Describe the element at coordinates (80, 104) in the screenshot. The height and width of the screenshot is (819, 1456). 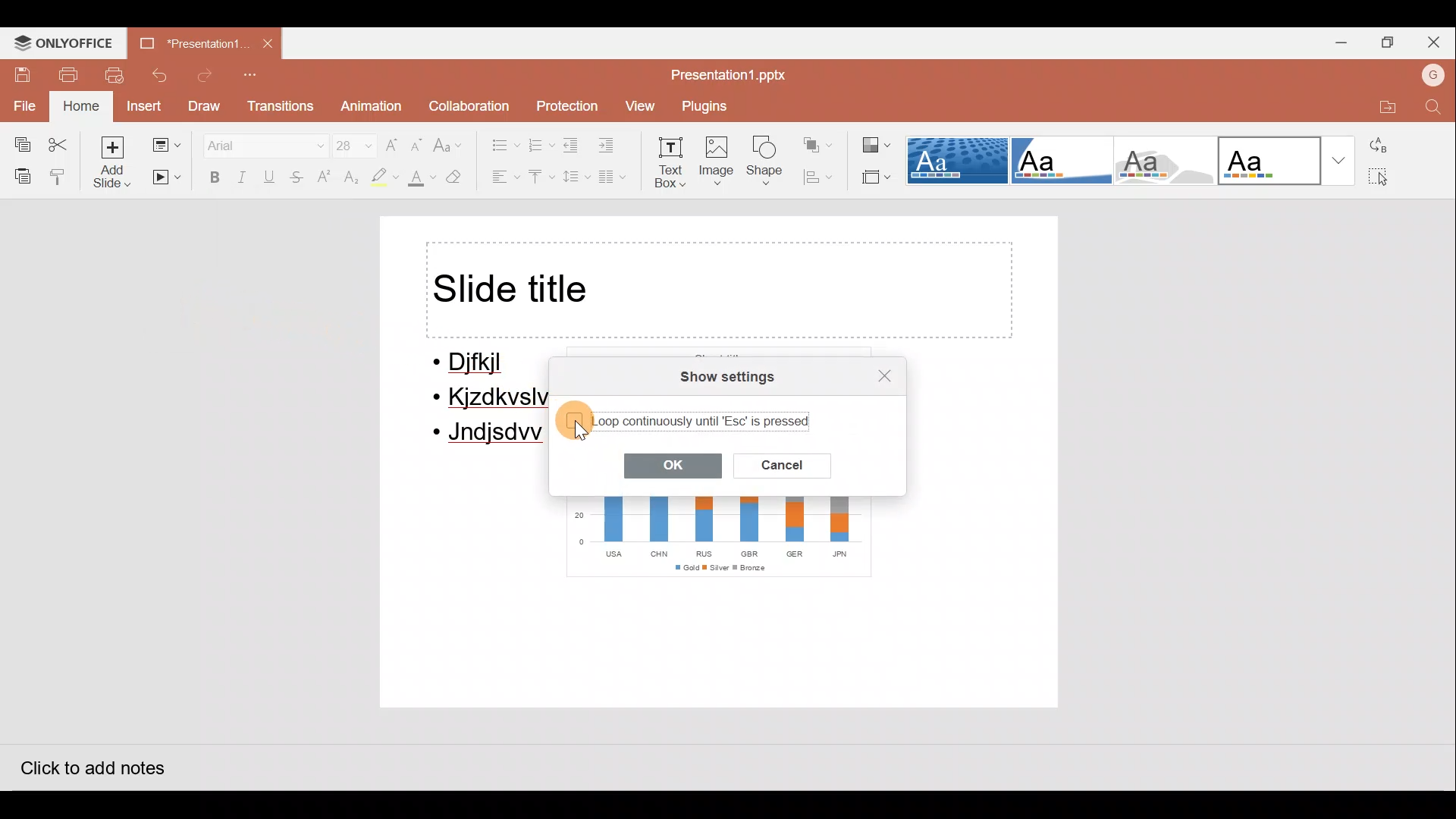
I see `Home` at that location.